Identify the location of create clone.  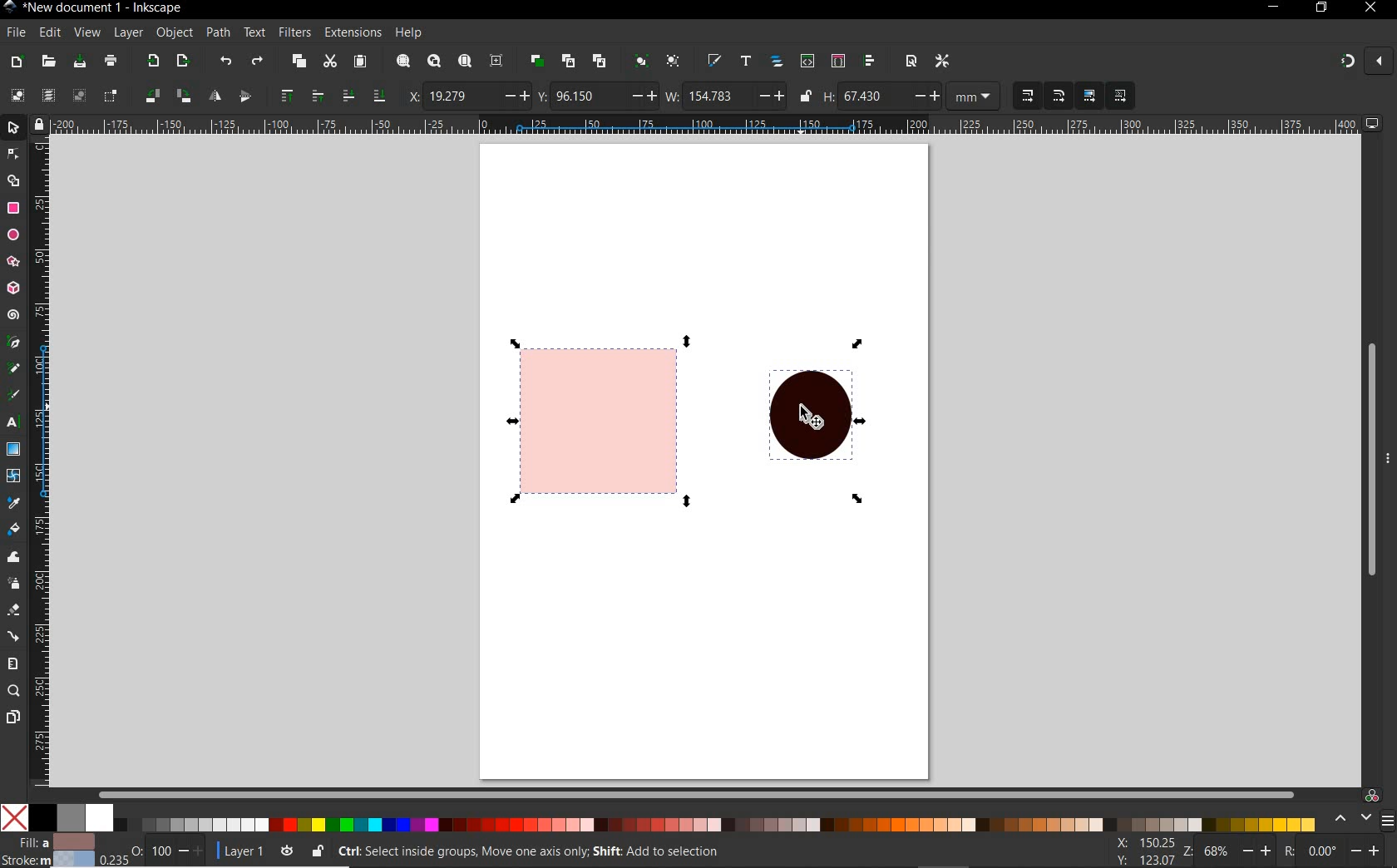
(569, 61).